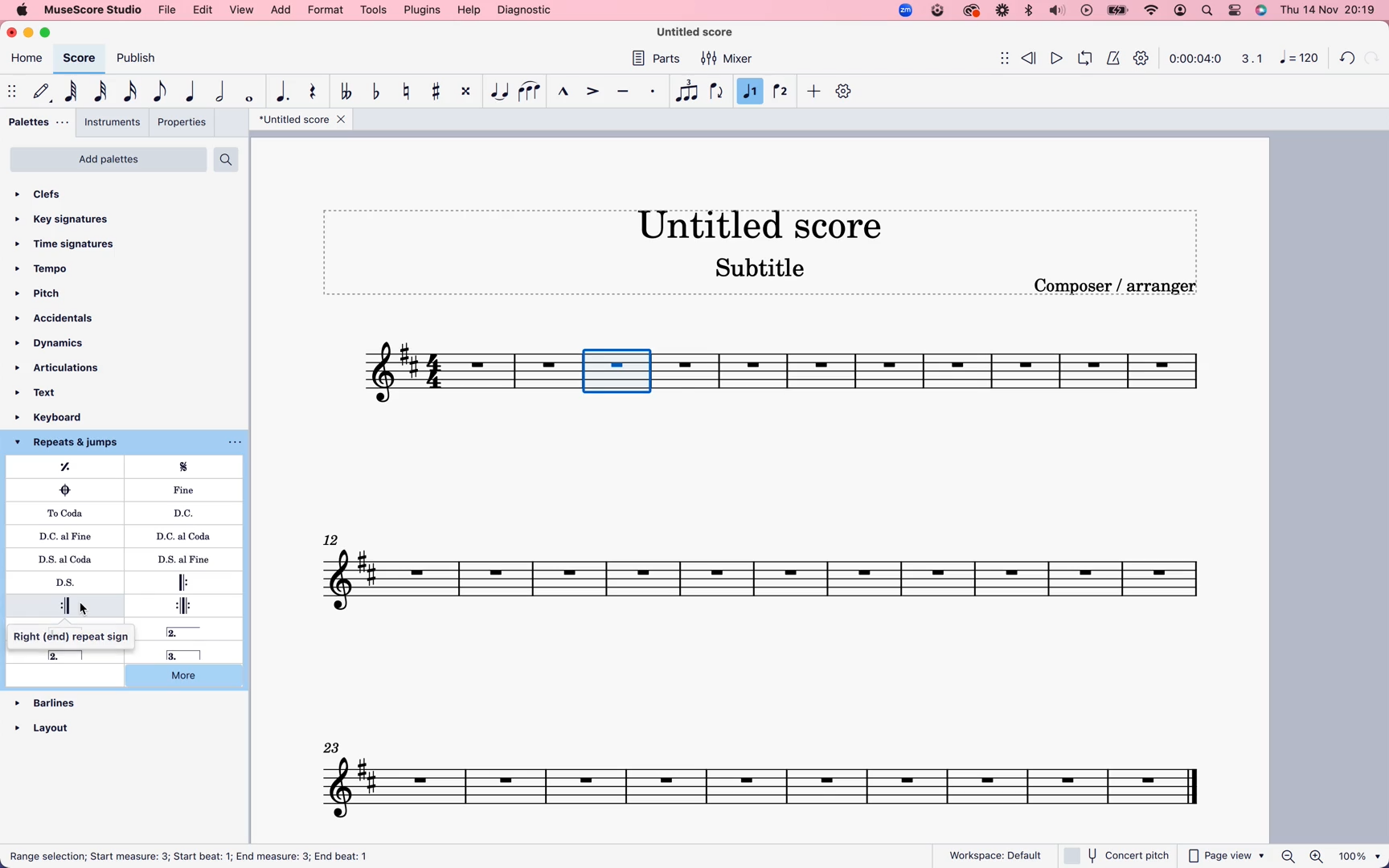  I want to click on »  Barlines, so click(53, 694).